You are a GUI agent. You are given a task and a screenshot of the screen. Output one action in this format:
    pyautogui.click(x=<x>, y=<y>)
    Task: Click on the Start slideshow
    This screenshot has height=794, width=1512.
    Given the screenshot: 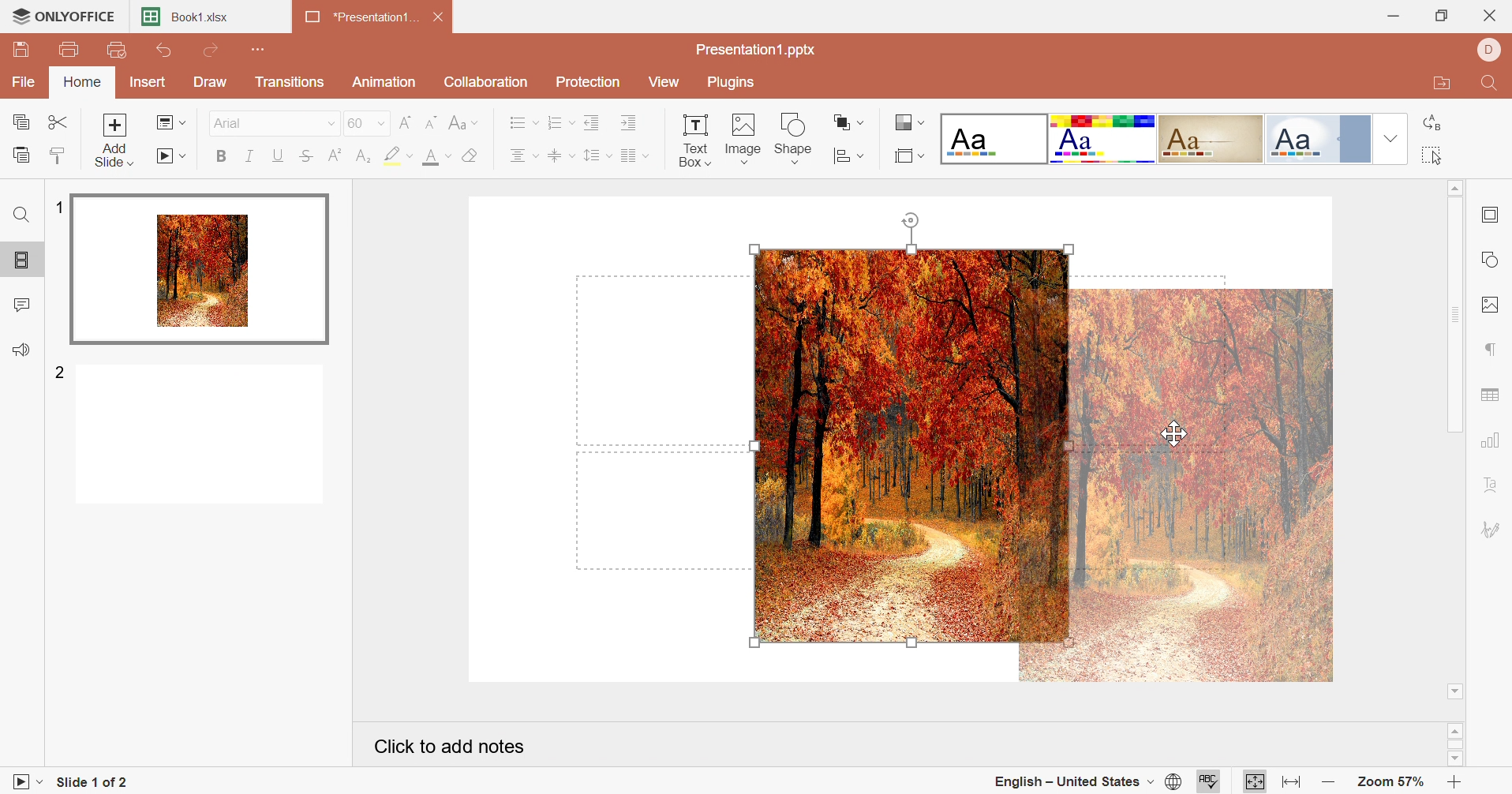 What is the action you would take?
    pyautogui.click(x=23, y=780)
    